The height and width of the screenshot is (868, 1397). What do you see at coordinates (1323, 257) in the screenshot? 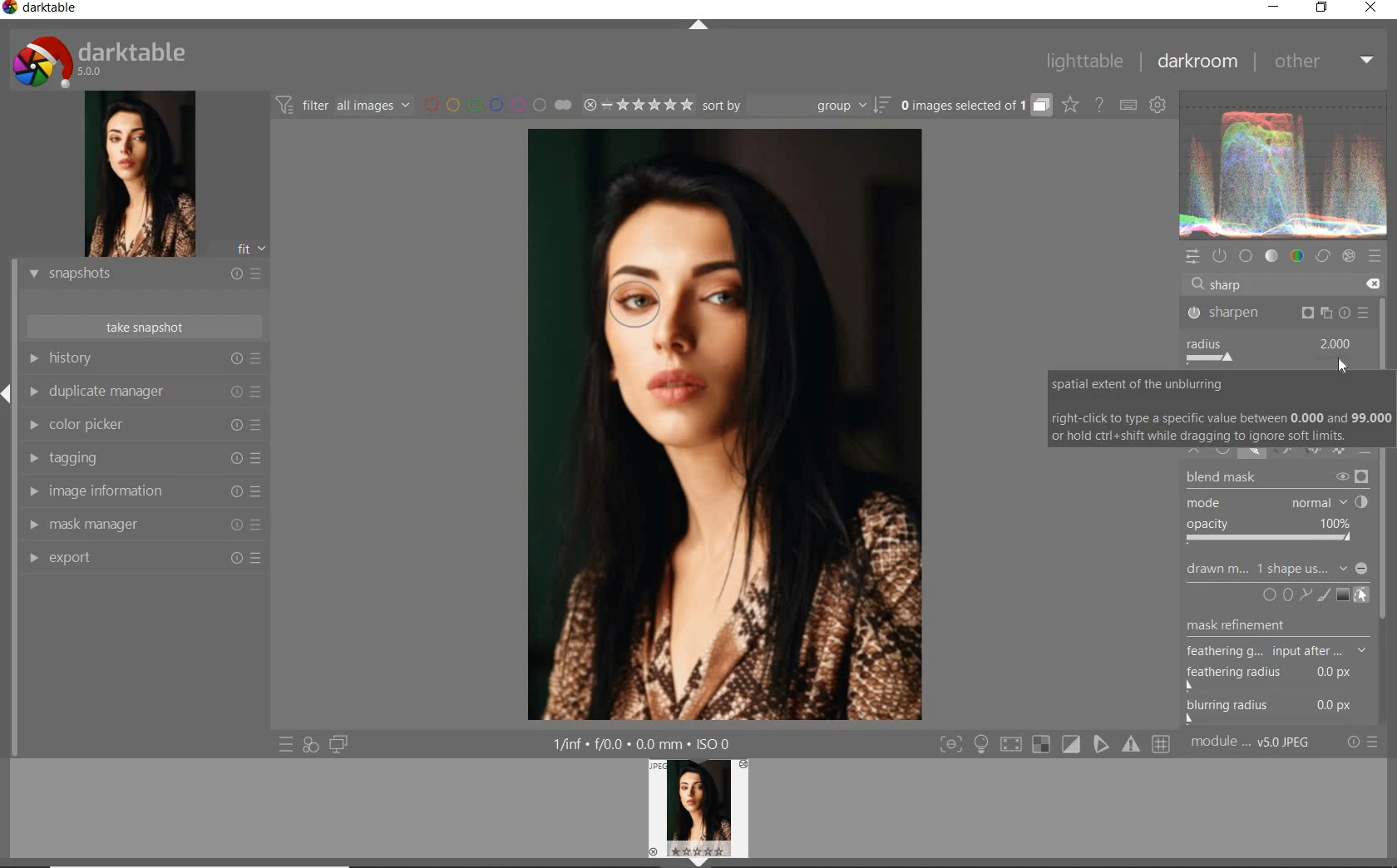
I see `correct` at bounding box center [1323, 257].